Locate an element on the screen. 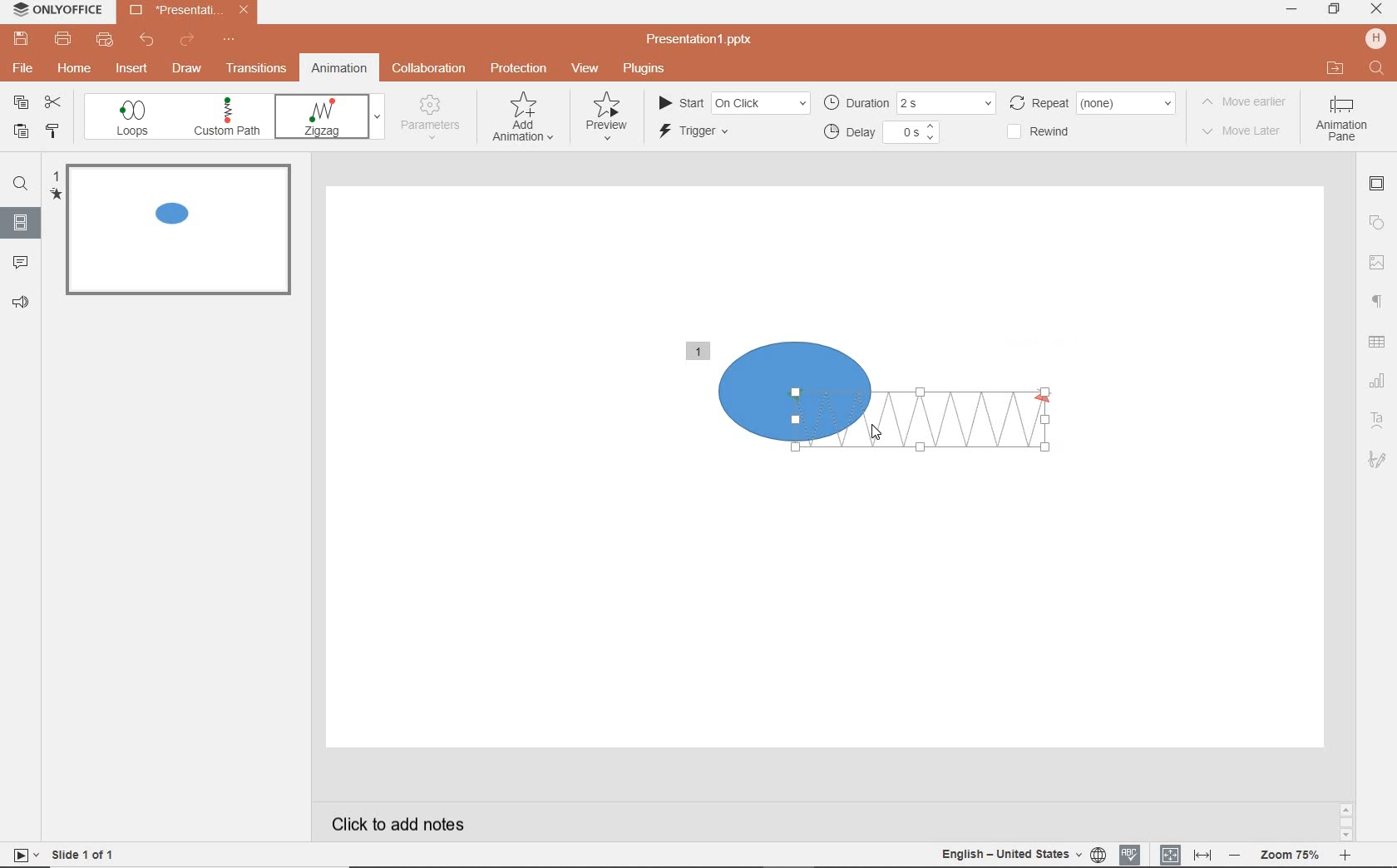 Image resolution: width=1397 pixels, height=868 pixels. paragraph settings is located at coordinates (1379, 298).